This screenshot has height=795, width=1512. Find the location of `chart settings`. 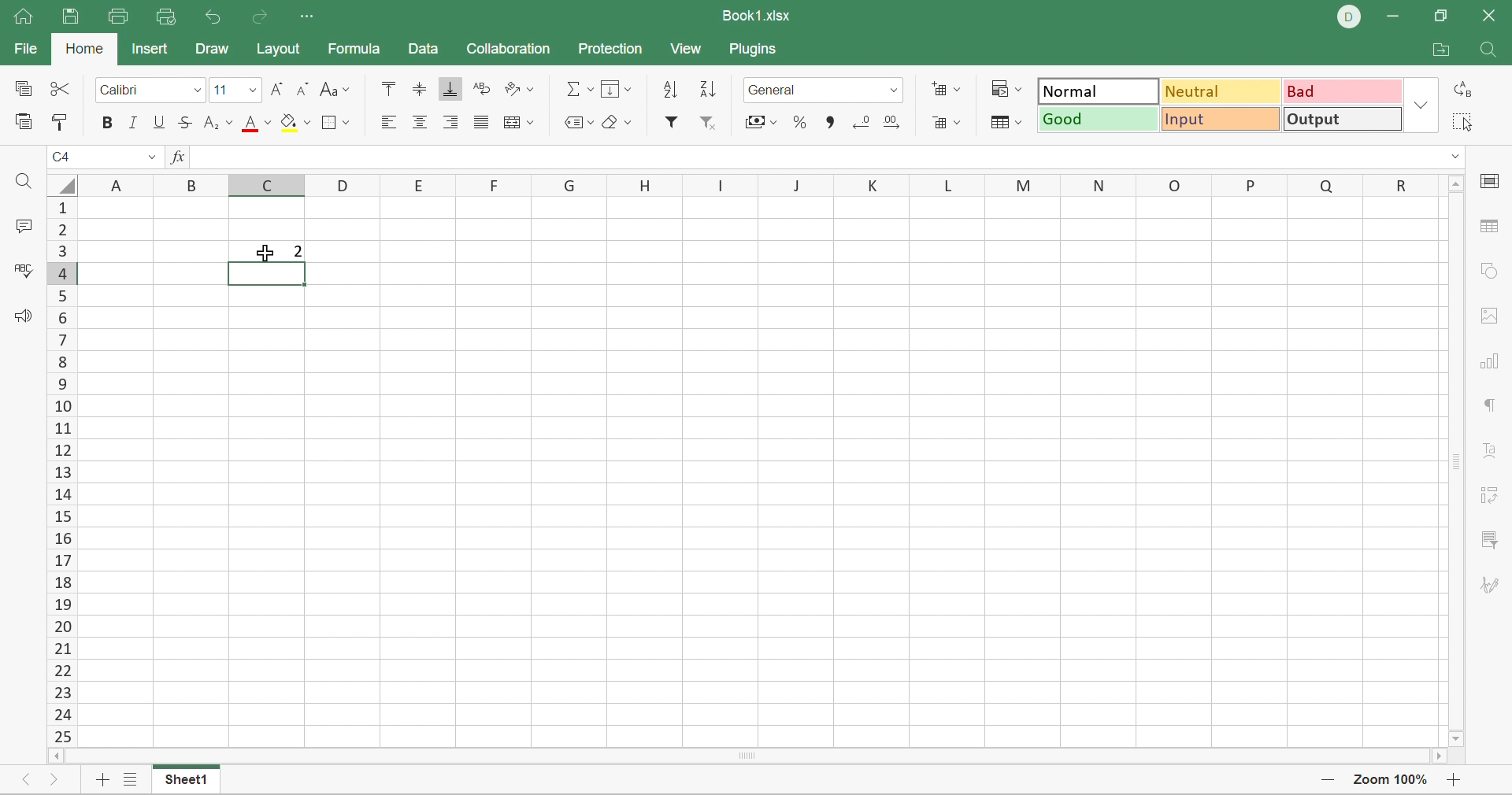

chart settings is located at coordinates (1491, 362).